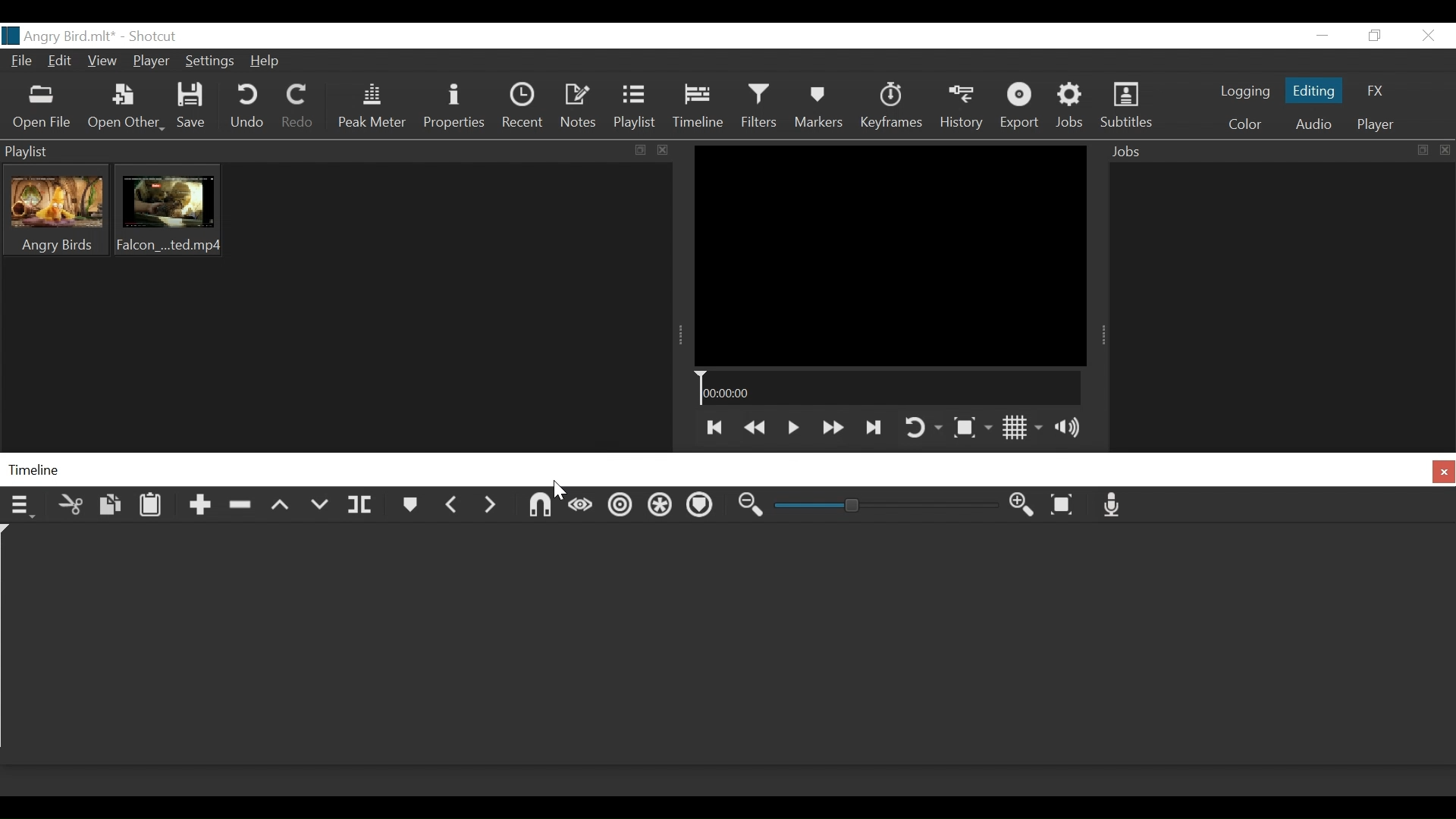  I want to click on Lift, so click(281, 510).